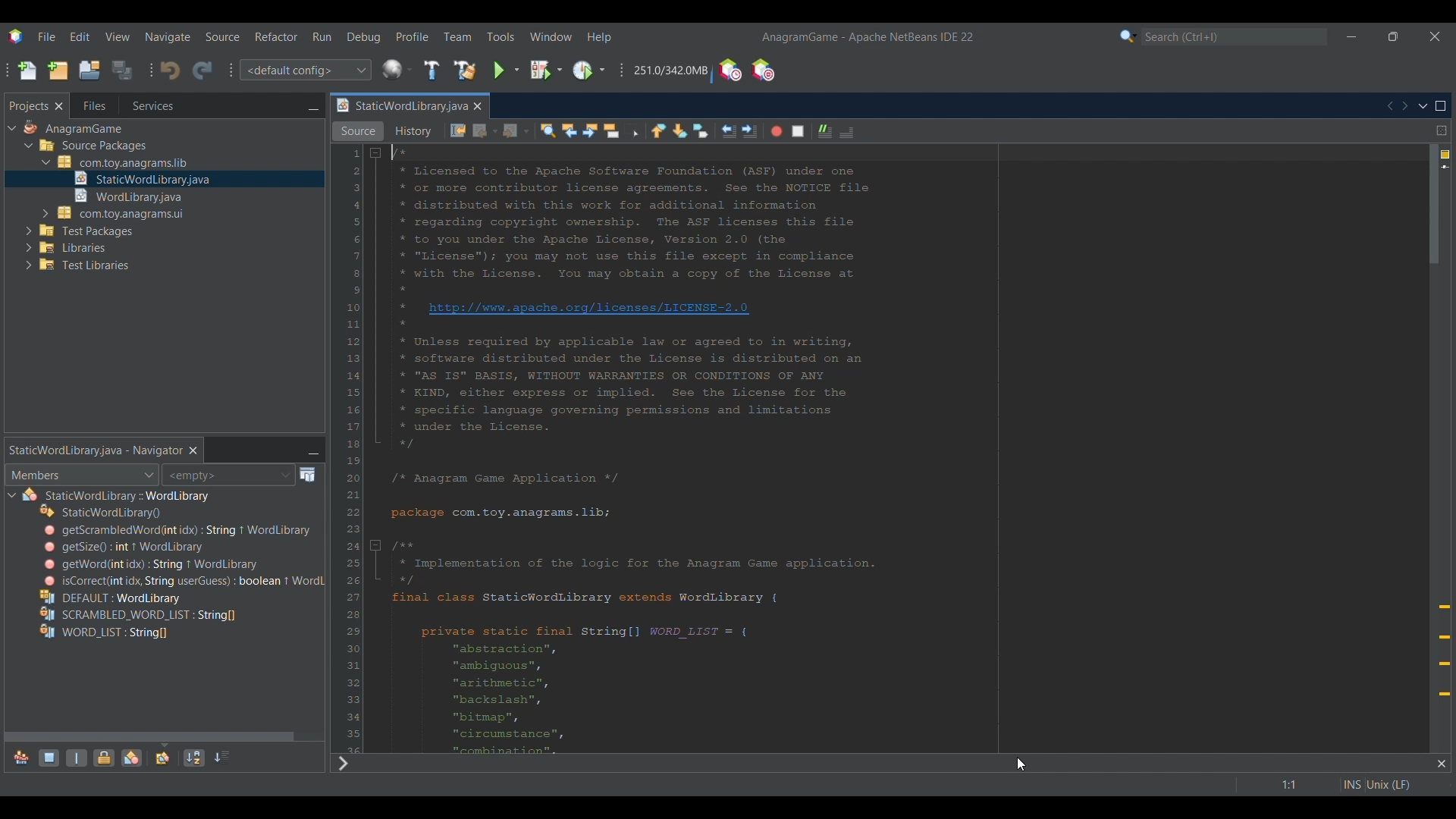  Describe the element at coordinates (1394, 36) in the screenshot. I see `Show interface in a smaller tab` at that location.